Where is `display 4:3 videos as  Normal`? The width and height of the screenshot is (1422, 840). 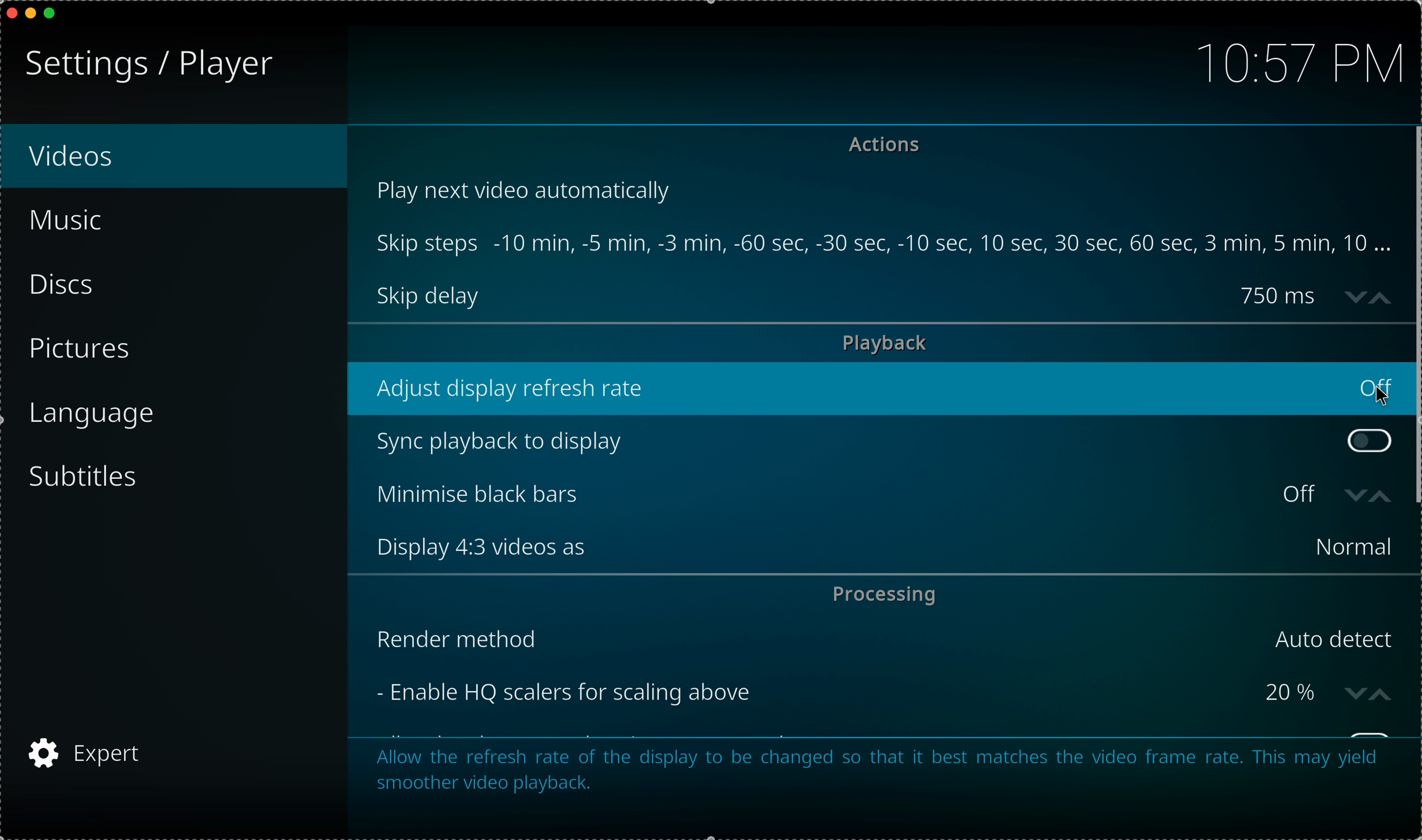
display 4:3 videos as  Normal is located at coordinates (890, 547).